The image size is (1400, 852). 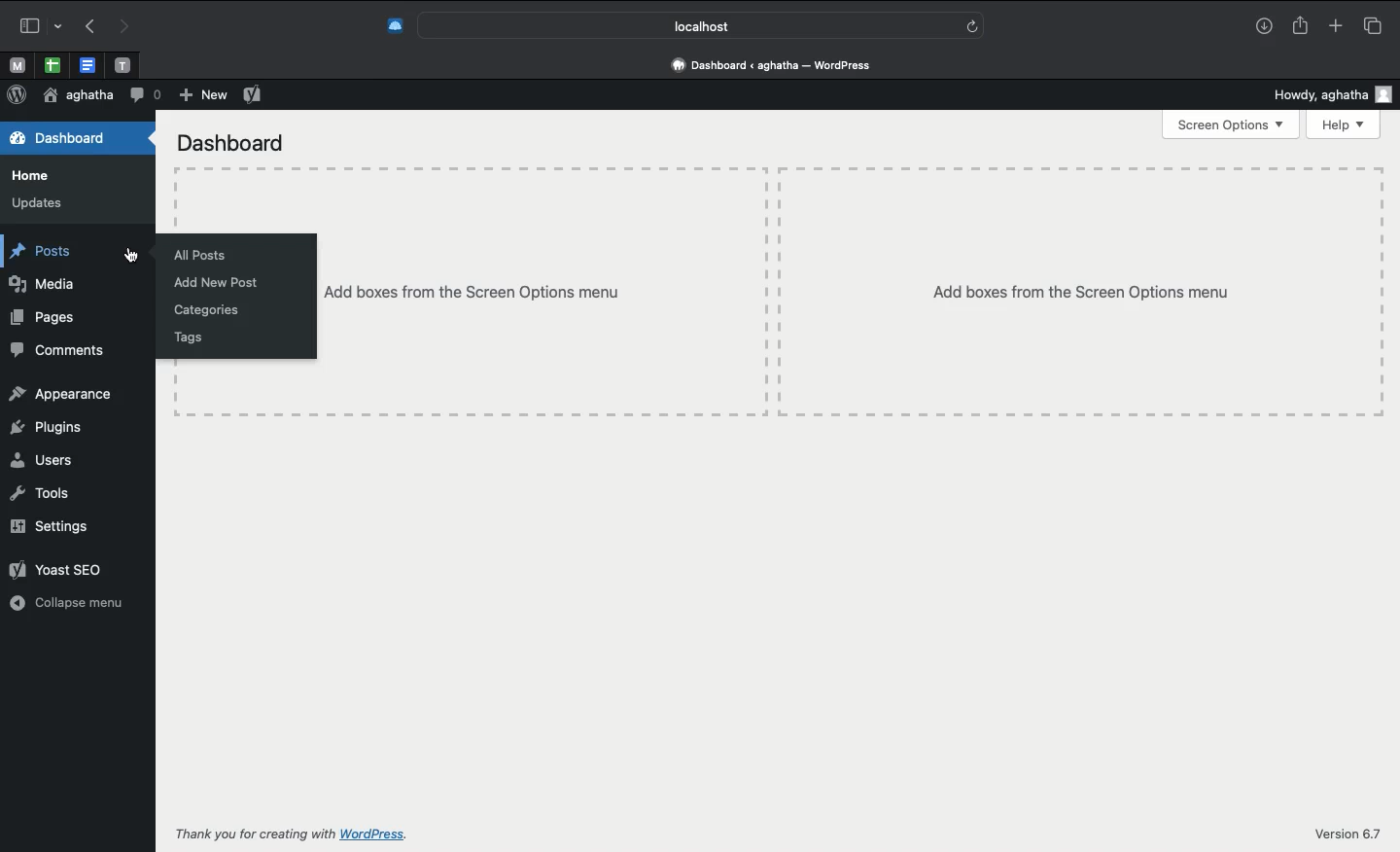 What do you see at coordinates (42, 461) in the screenshot?
I see `Users` at bounding box center [42, 461].